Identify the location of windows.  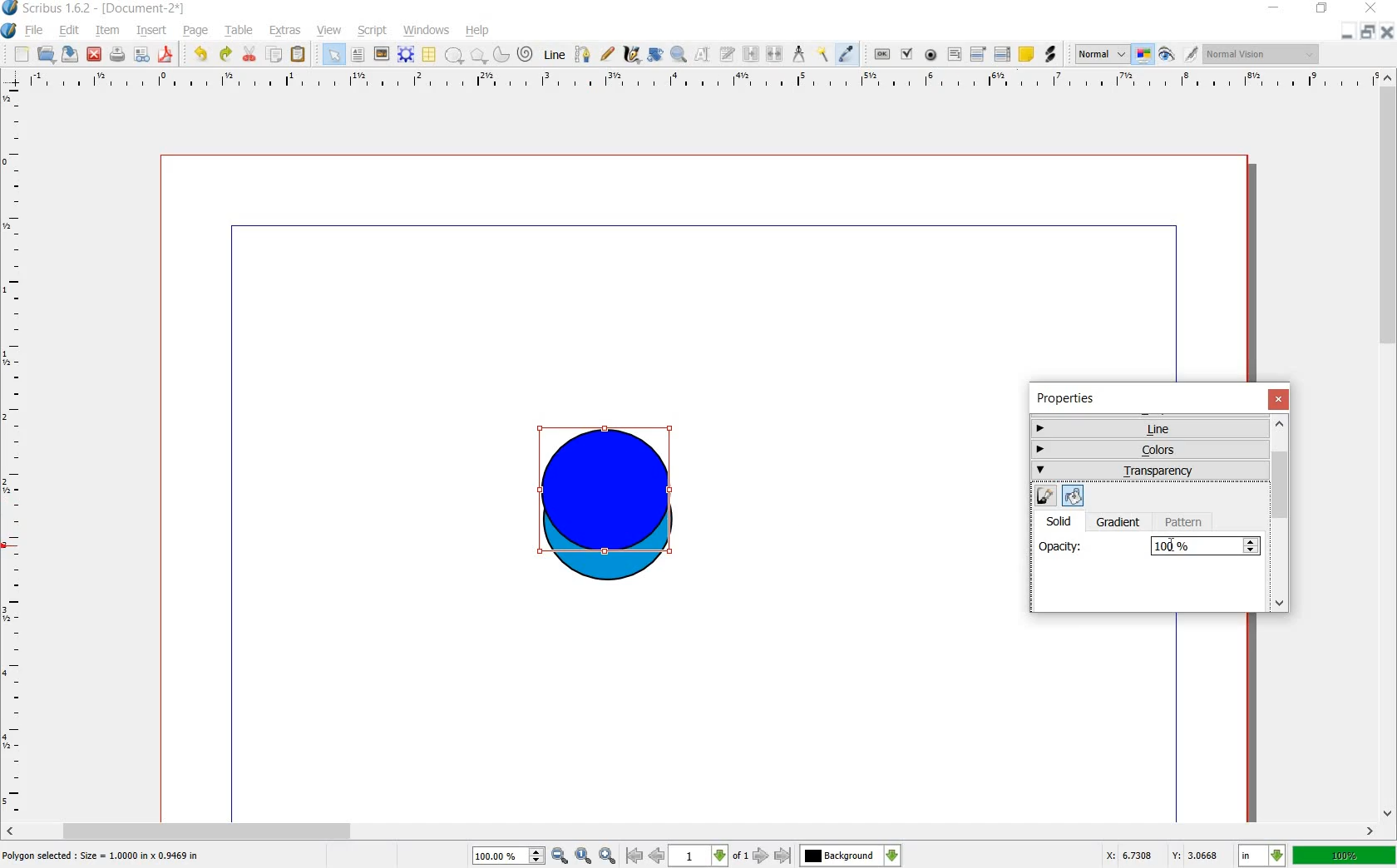
(426, 31).